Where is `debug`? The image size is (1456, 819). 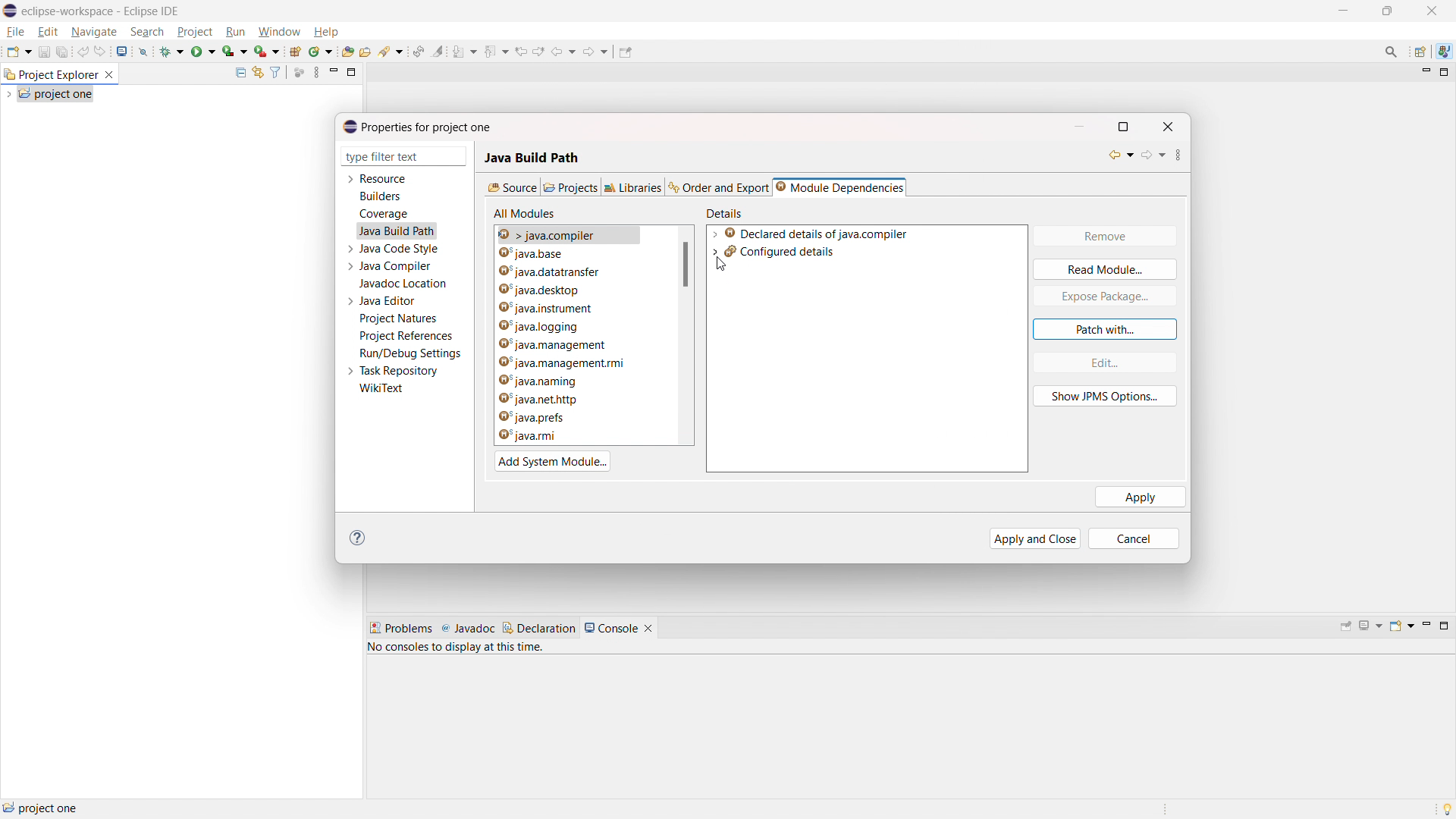
debug is located at coordinates (172, 50).